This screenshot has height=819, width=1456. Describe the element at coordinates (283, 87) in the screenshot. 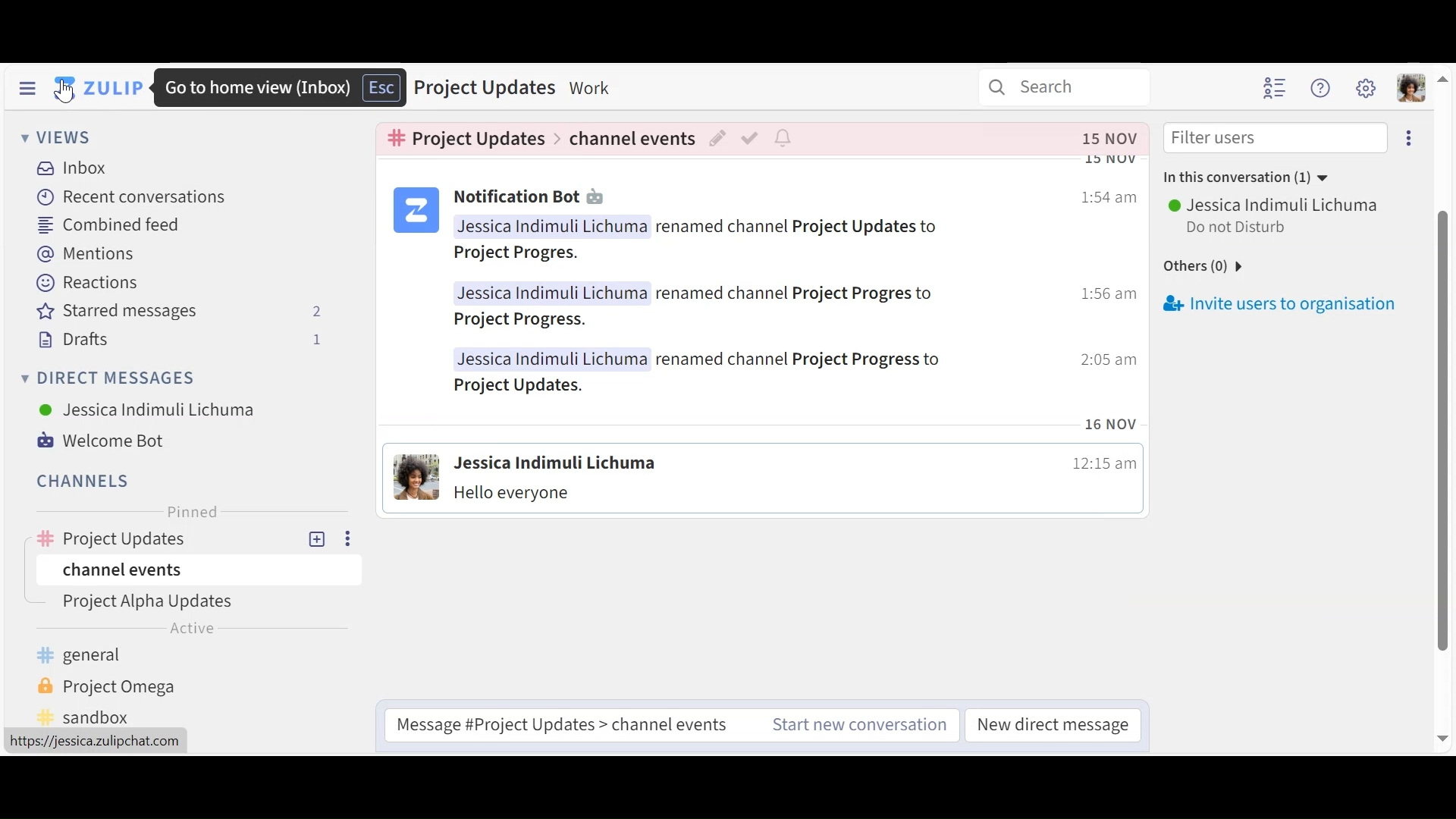

I see `Go to home view (Inbox)` at that location.